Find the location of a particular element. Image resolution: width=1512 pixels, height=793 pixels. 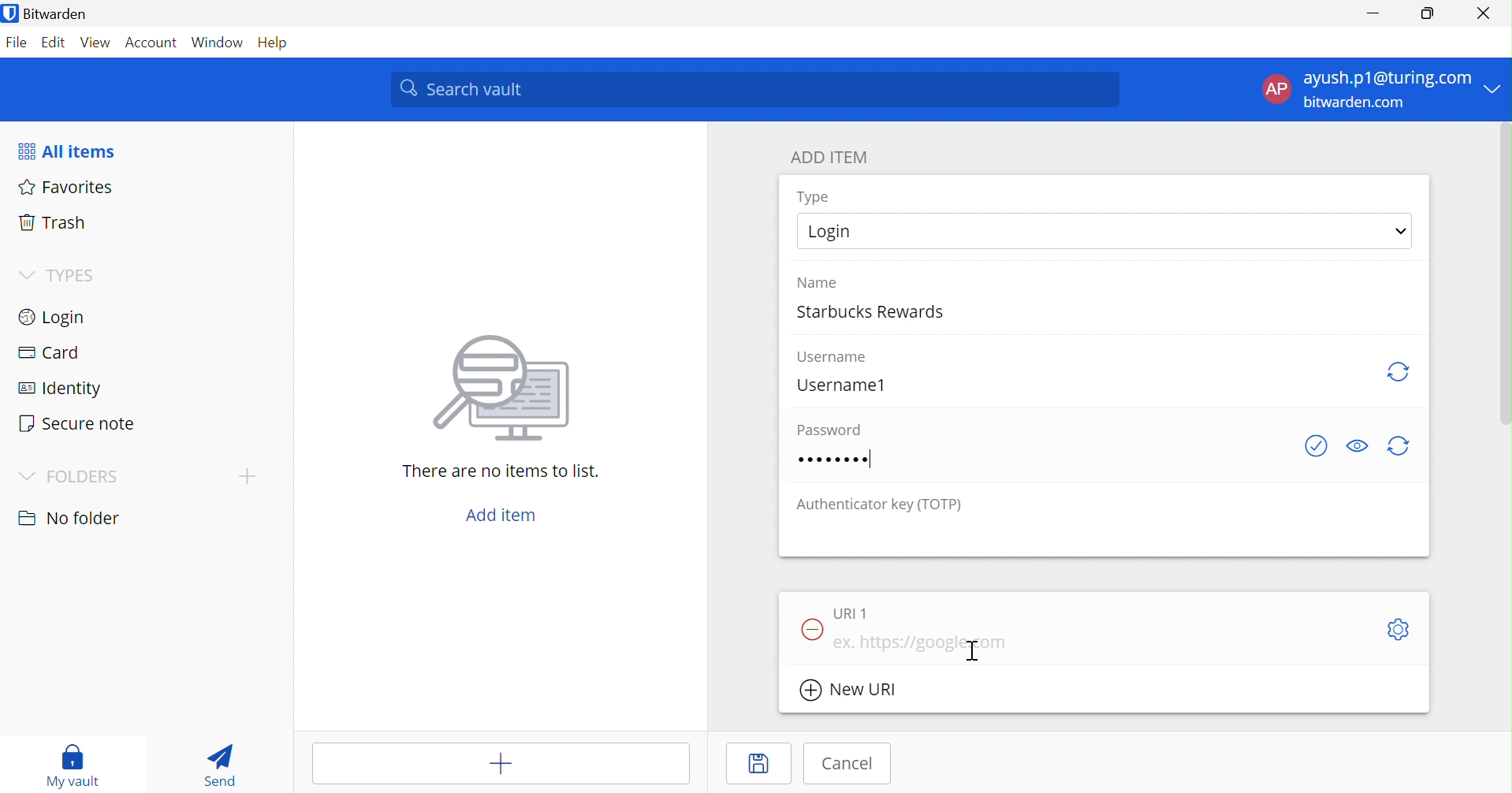

Help is located at coordinates (279, 43).